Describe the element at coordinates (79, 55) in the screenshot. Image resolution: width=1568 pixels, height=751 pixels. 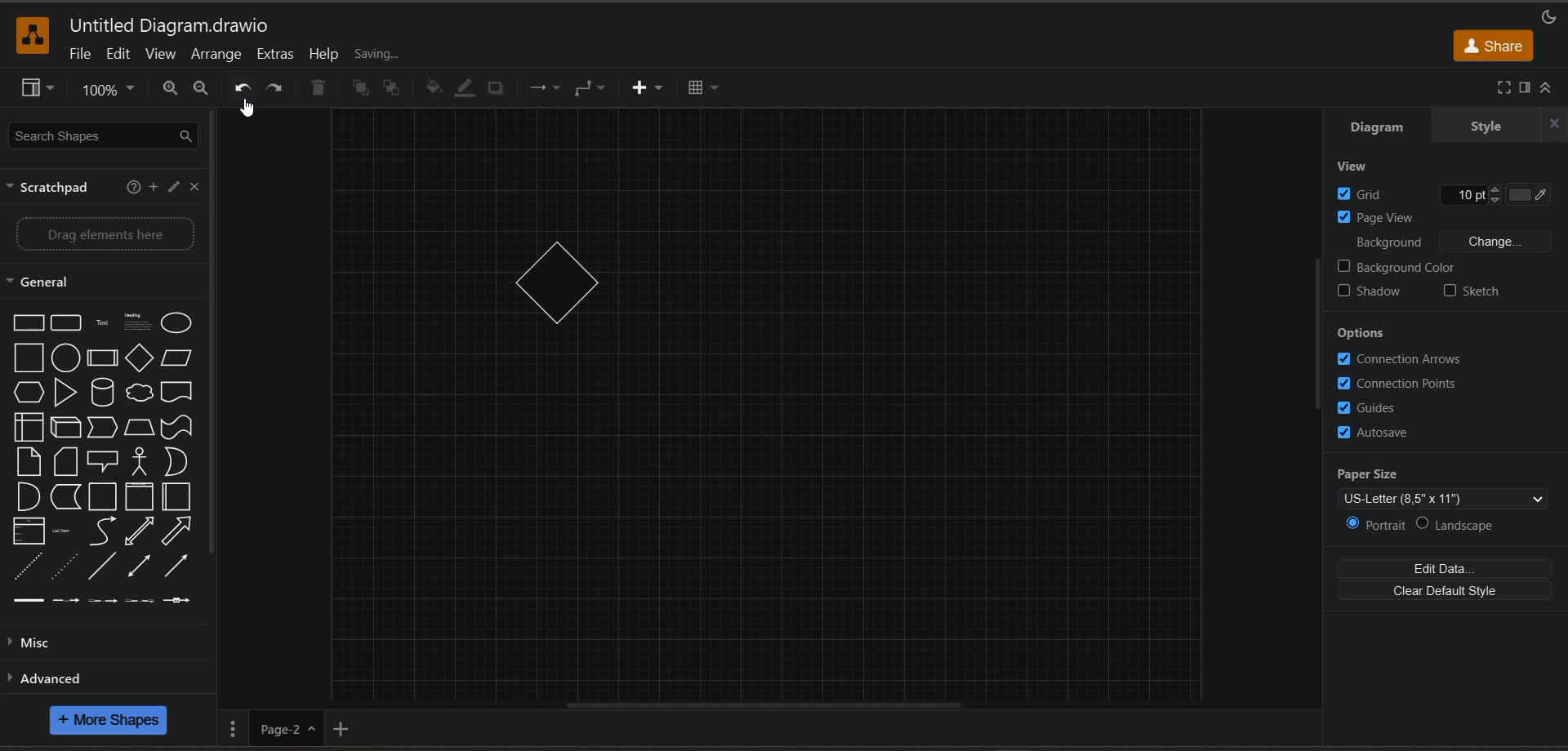
I see `file` at that location.